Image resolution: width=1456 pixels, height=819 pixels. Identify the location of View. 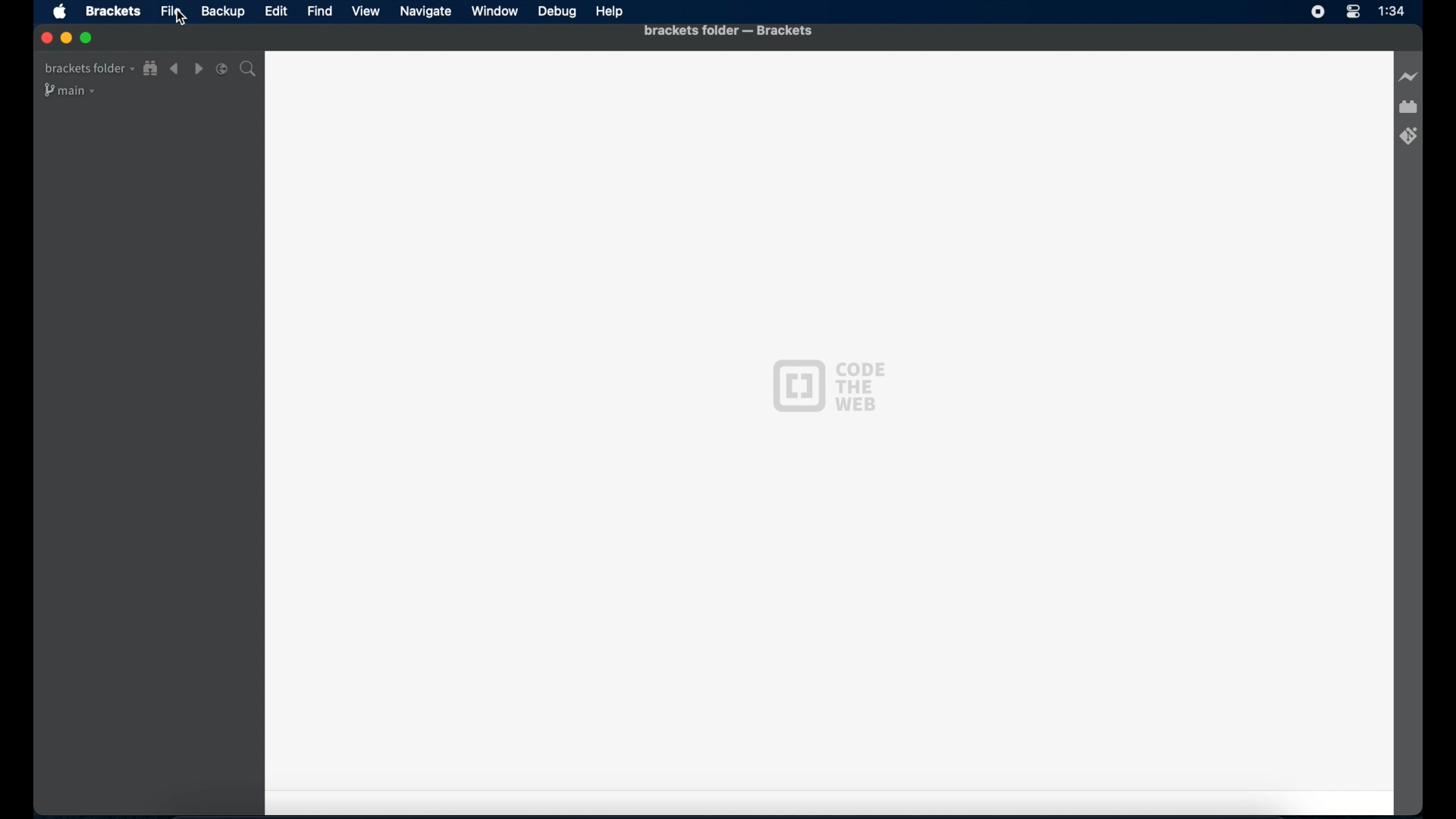
(365, 11).